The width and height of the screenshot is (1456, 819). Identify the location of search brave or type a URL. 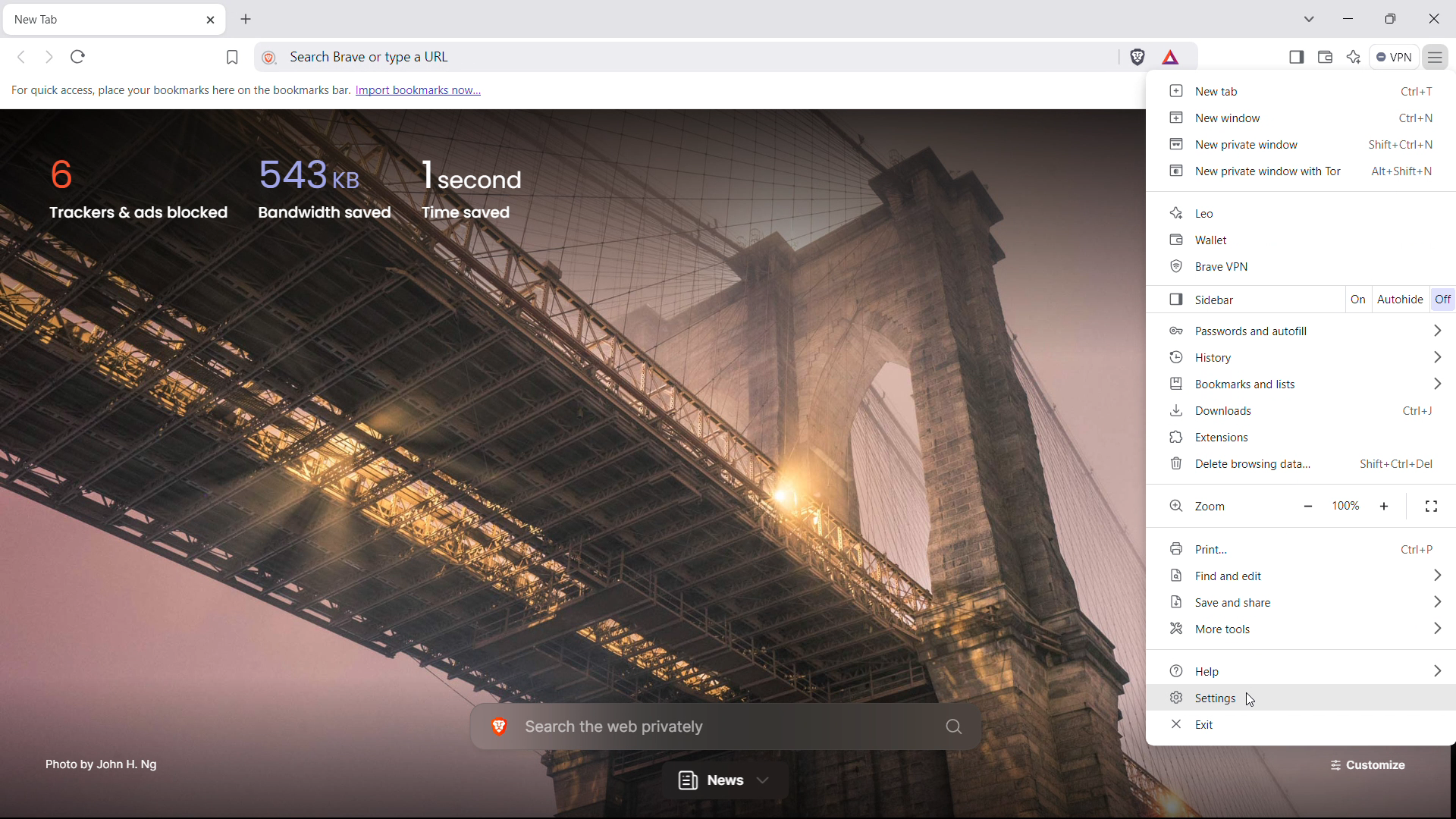
(700, 55).